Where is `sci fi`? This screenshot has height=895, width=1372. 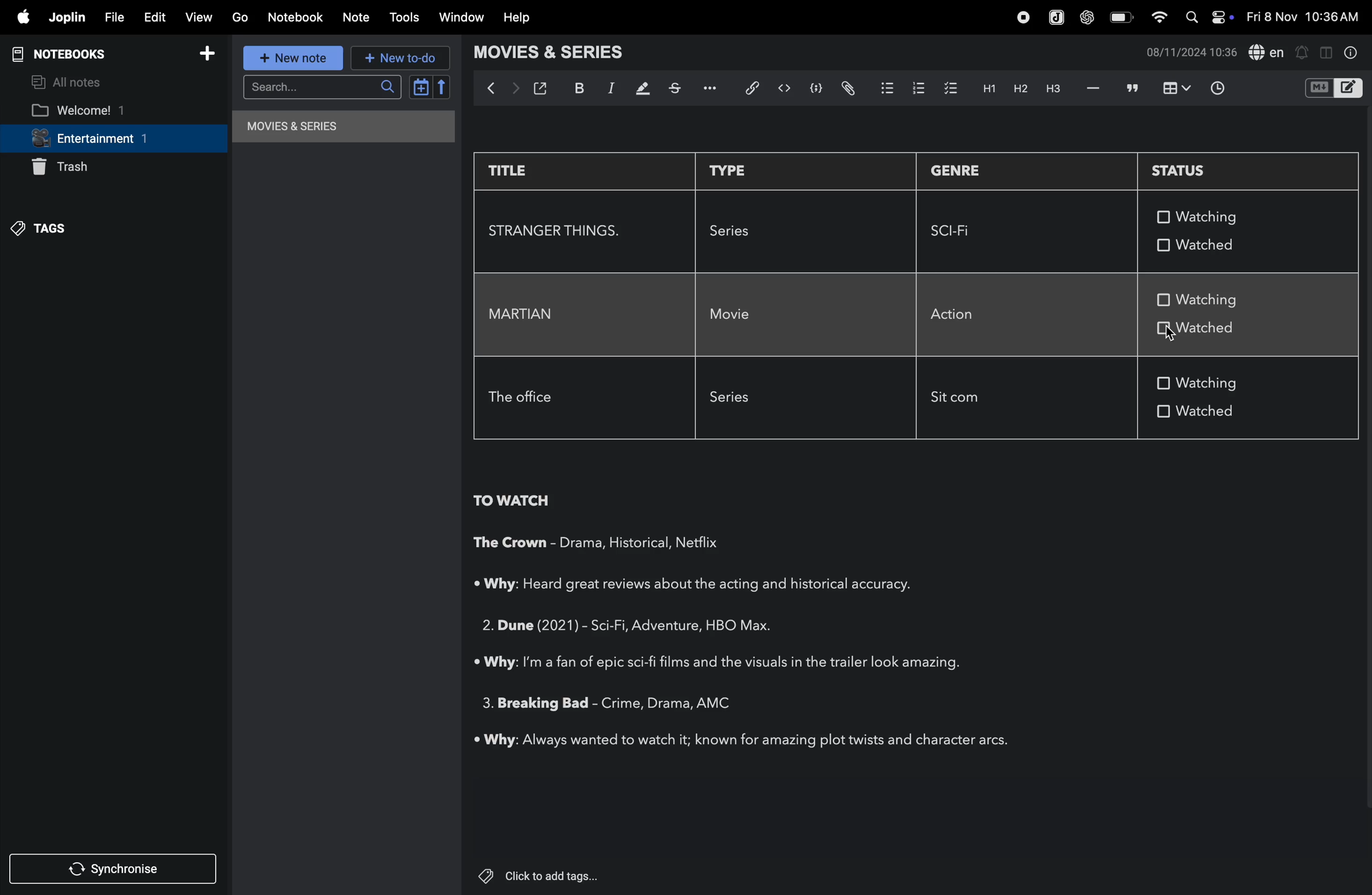 sci fi is located at coordinates (958, 231).